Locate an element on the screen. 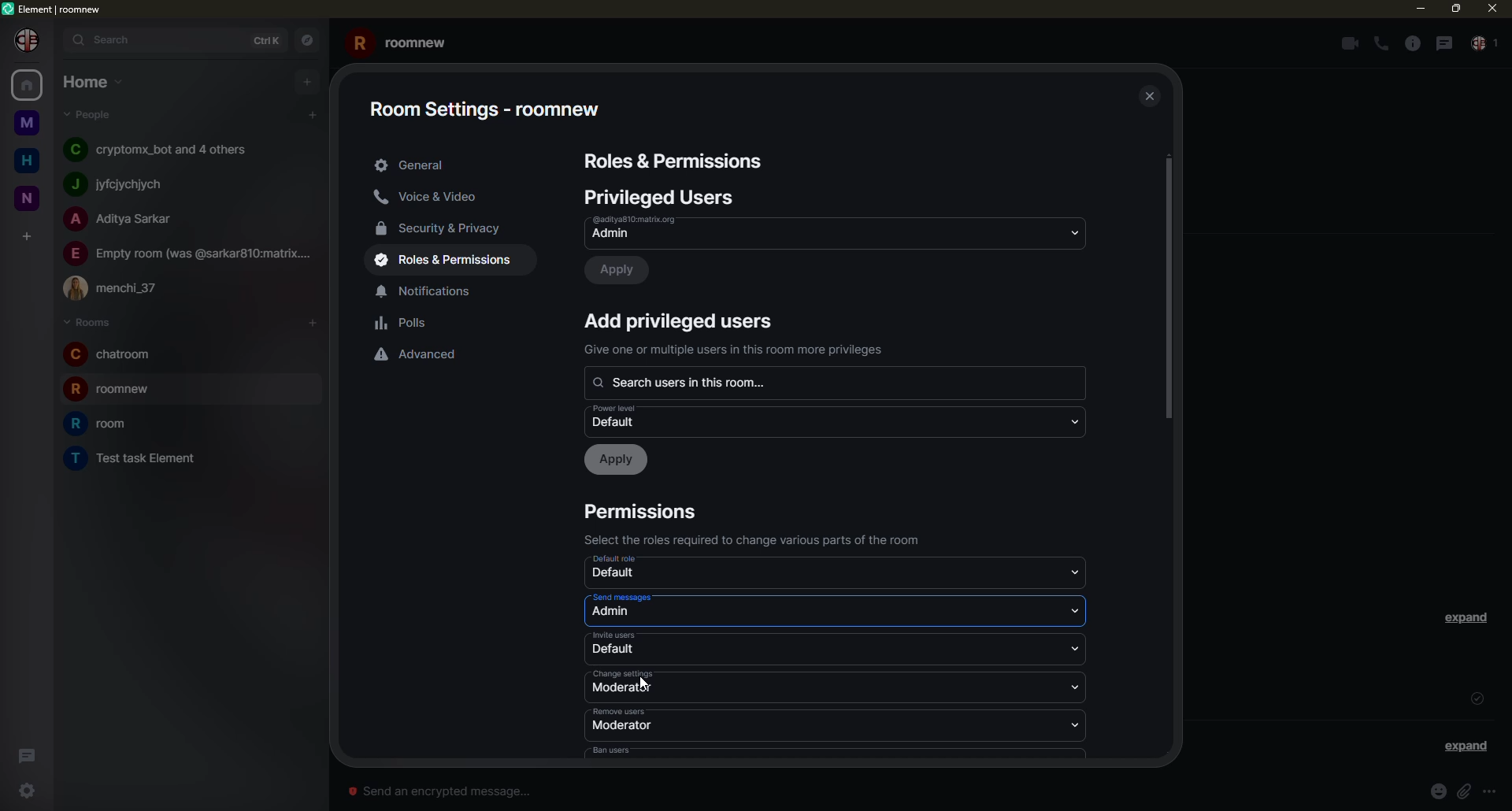 The height and width of the screenshot is (811, 1512). admin is located at coordinates (651, 228).